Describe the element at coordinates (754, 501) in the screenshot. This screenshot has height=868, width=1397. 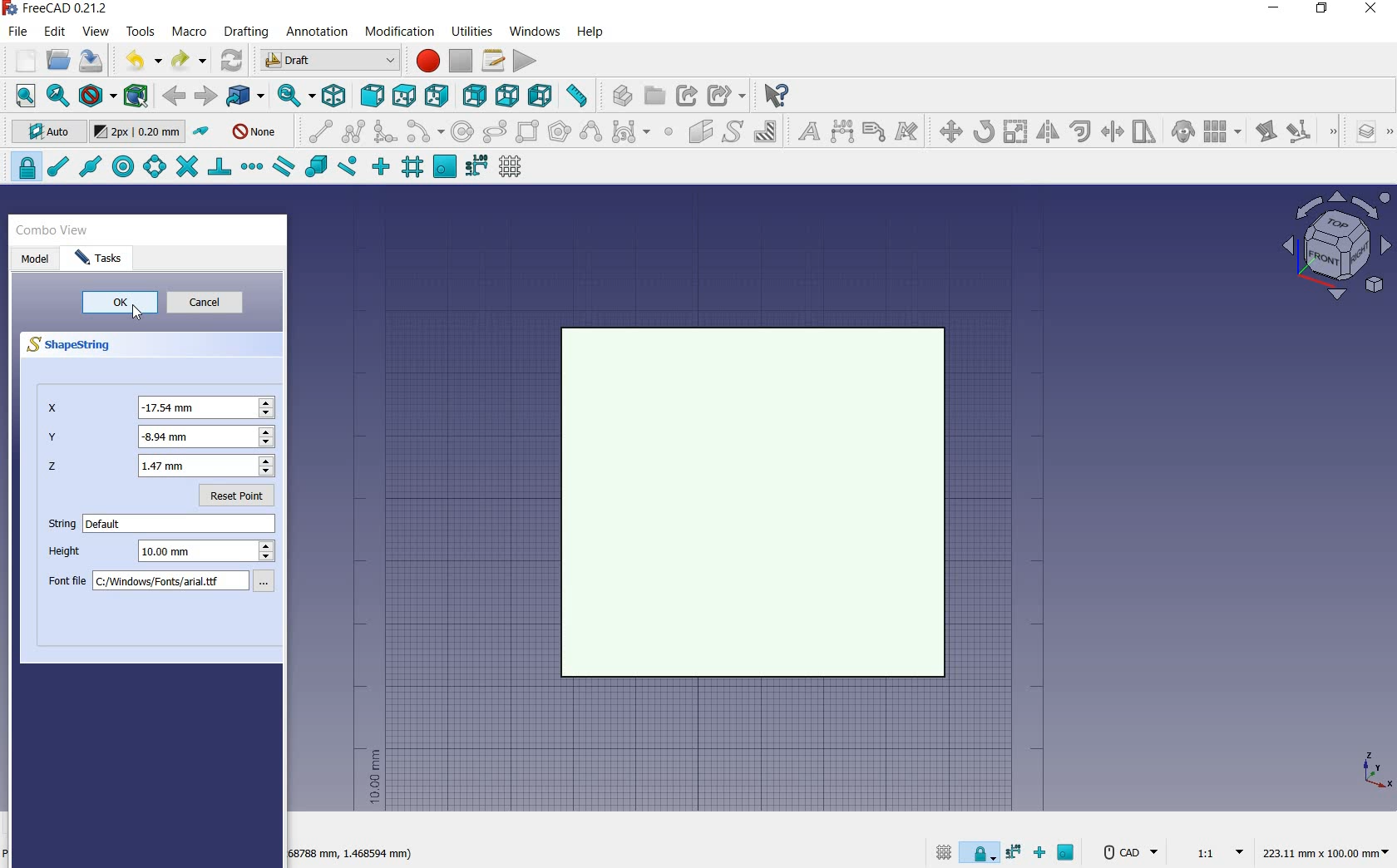
I see `object` at that location.